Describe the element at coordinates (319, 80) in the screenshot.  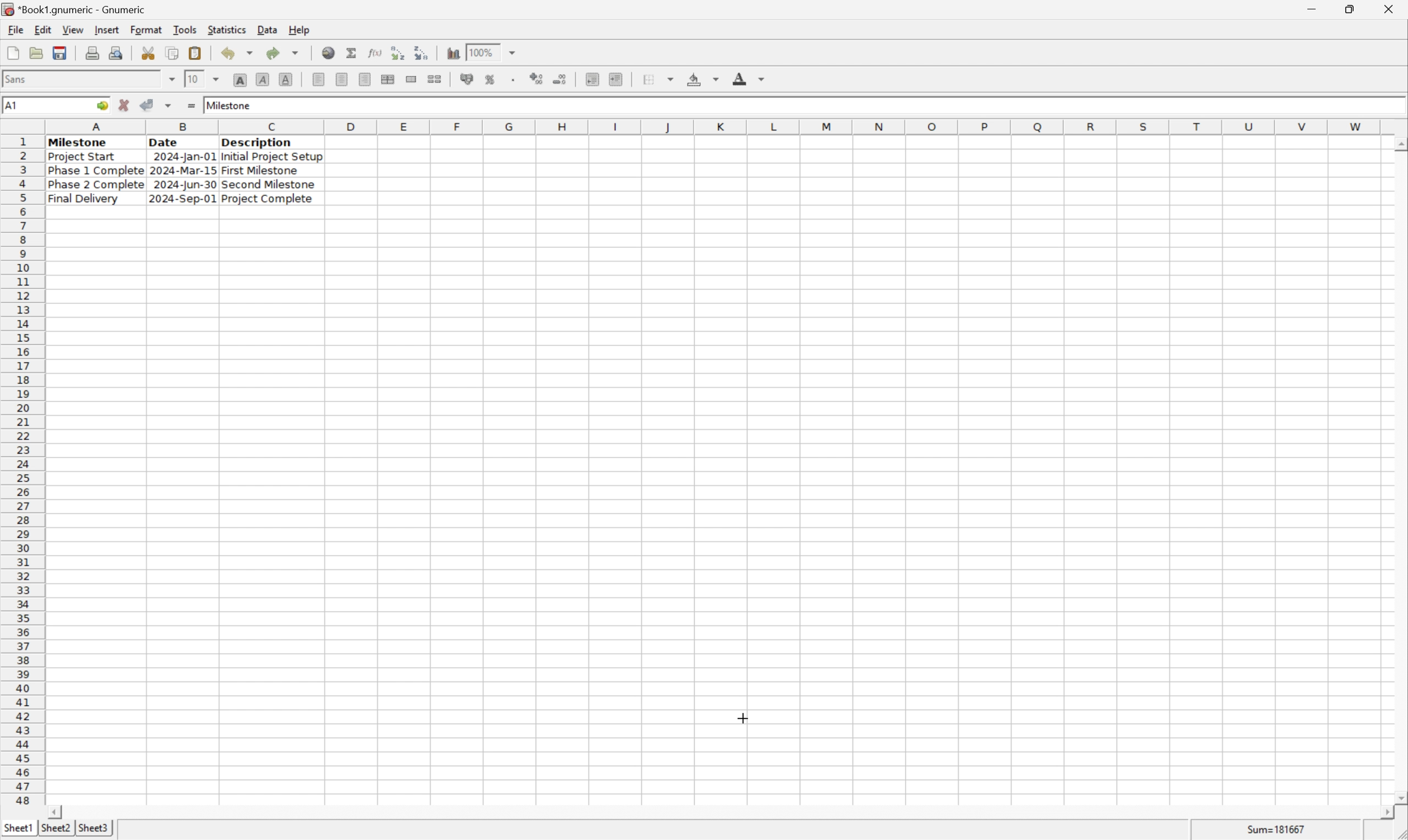
I see `align left` at that location.